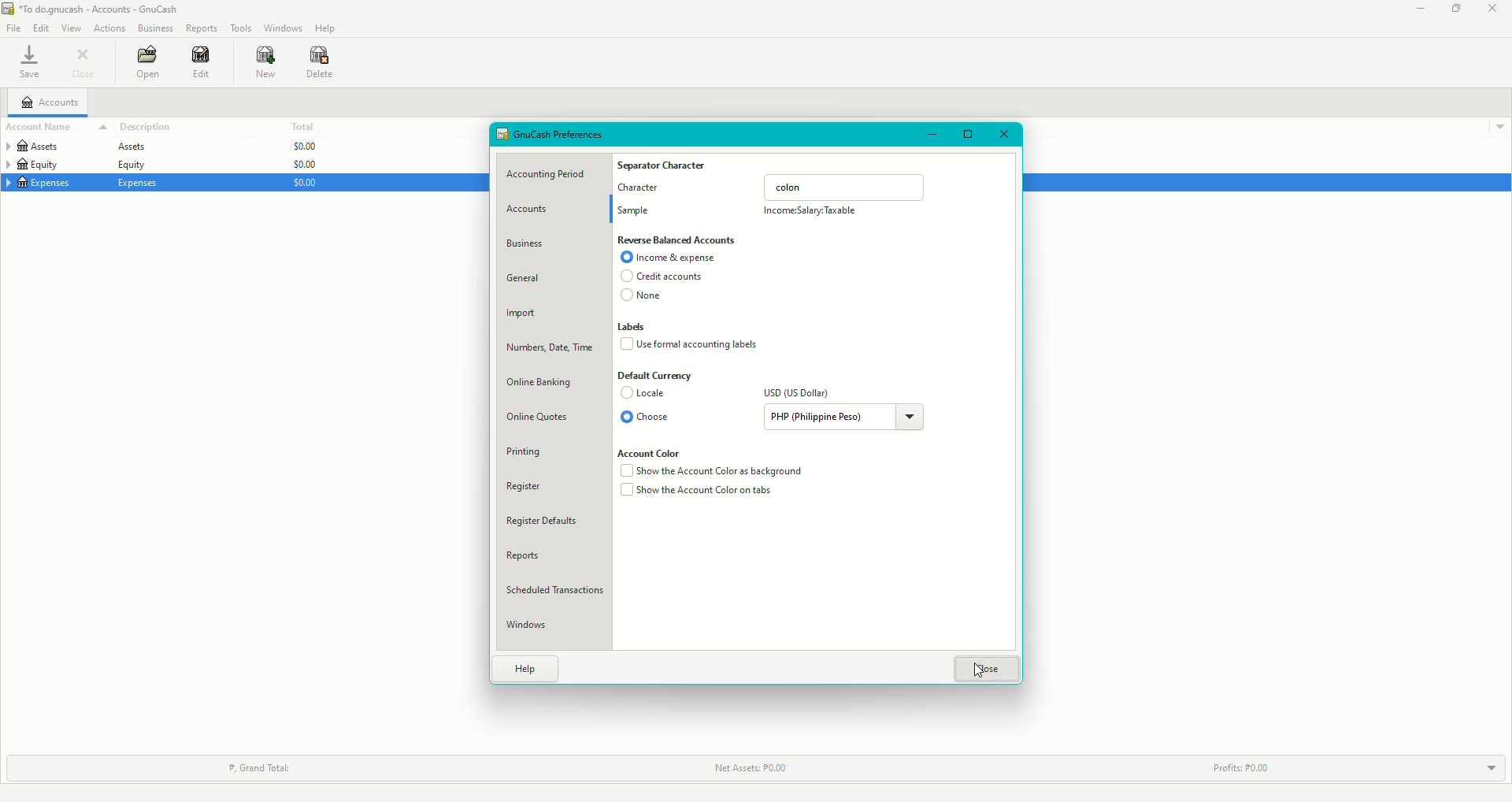 The height and width of the screenshot is (802, 1512). I want to click on Accounts, so click(535, 210).